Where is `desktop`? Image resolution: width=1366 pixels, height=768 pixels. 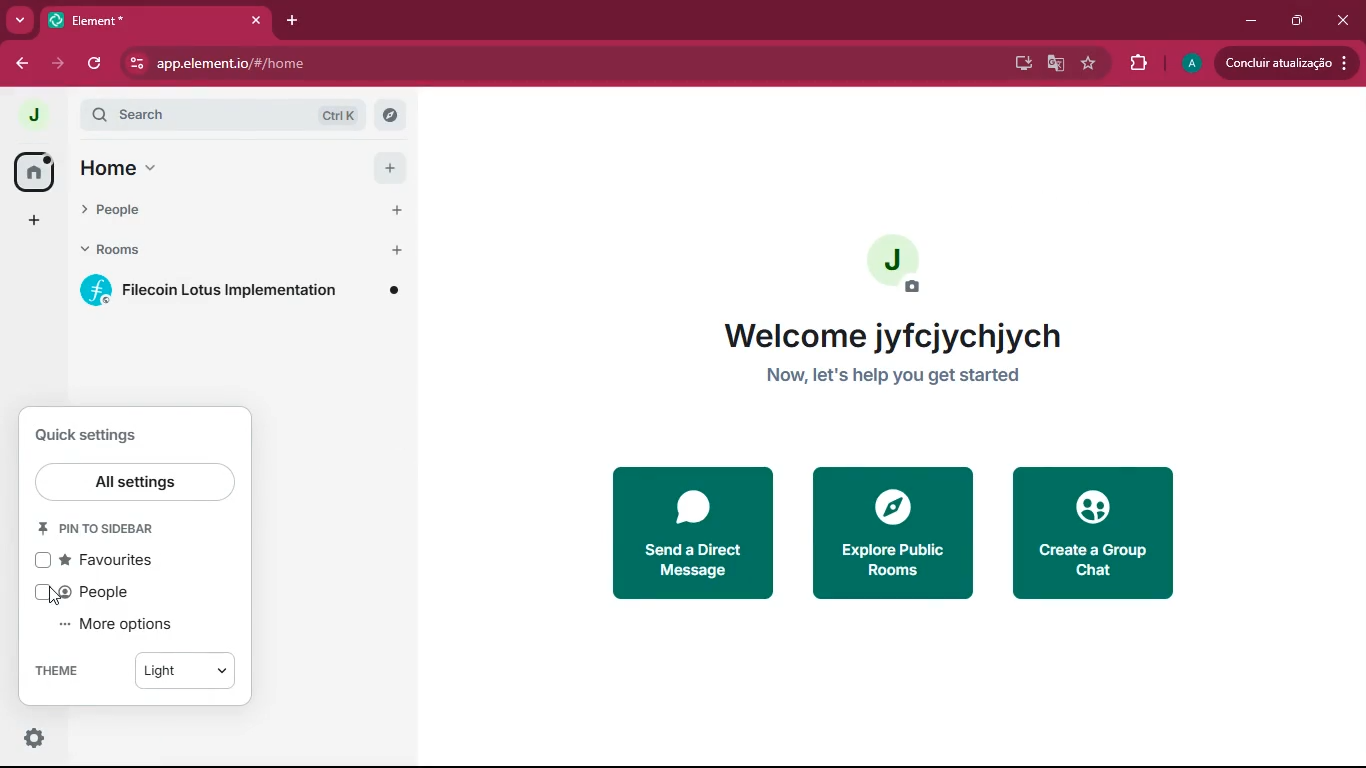 desktop is located at coordinates (1021, 63).